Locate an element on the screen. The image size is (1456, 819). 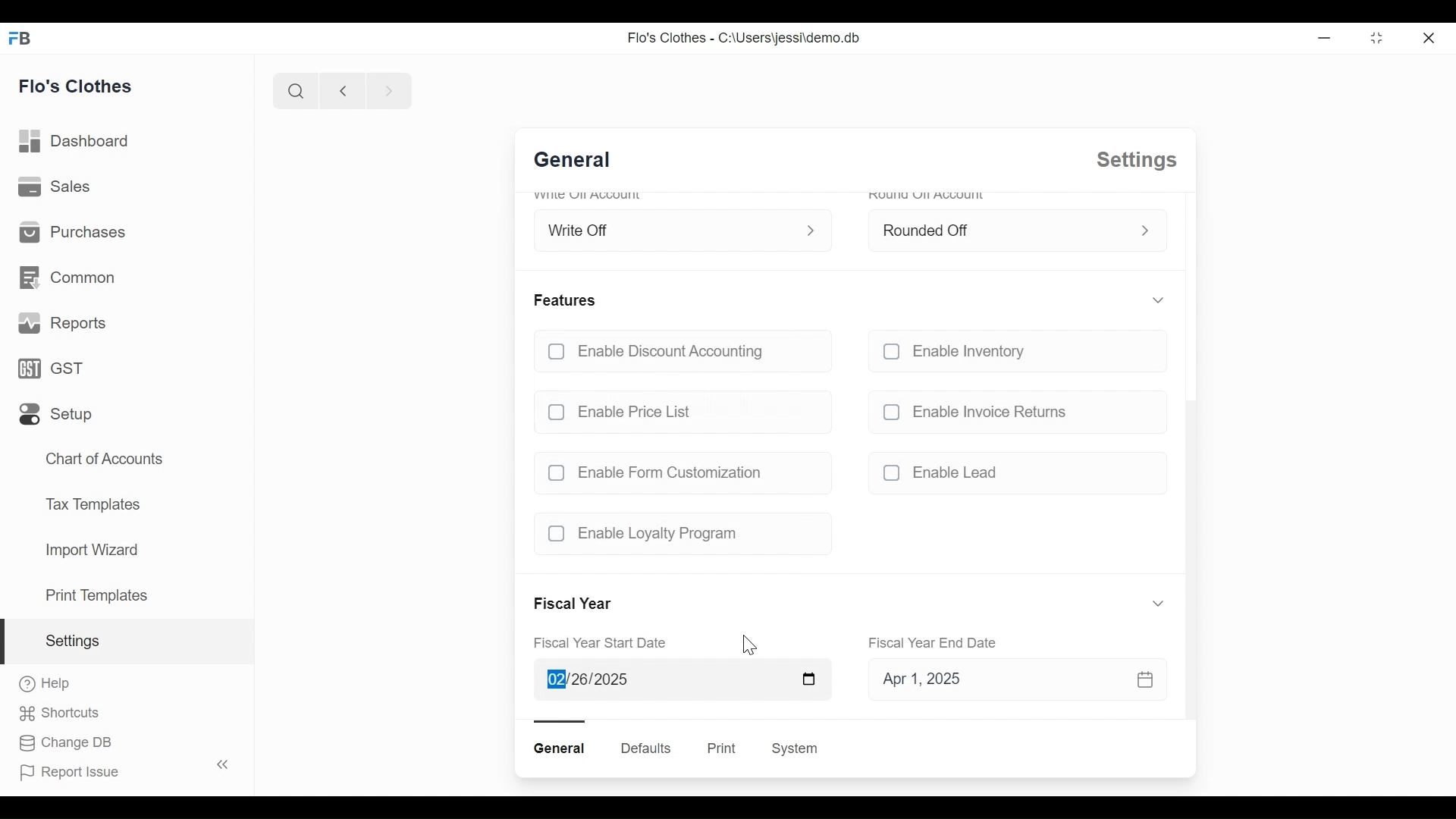
Report Issue is located at coordinates (121, 769).